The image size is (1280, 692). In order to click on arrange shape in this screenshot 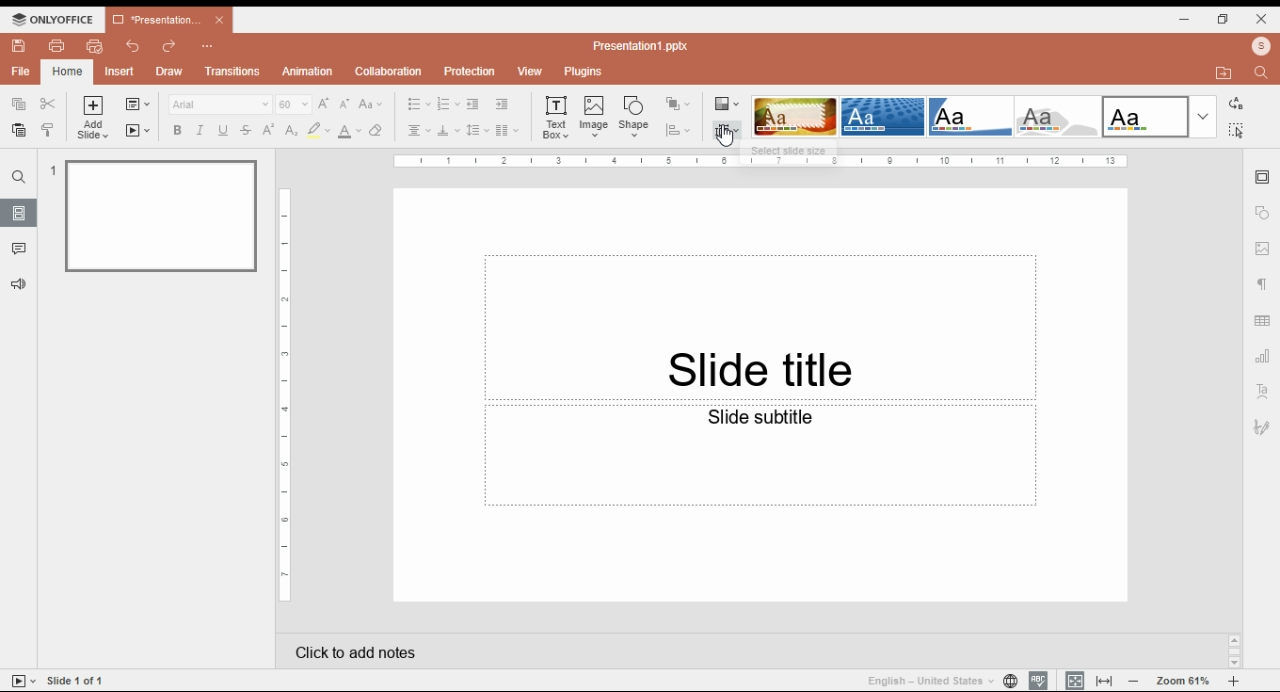, I will do `click(677, 104)`.